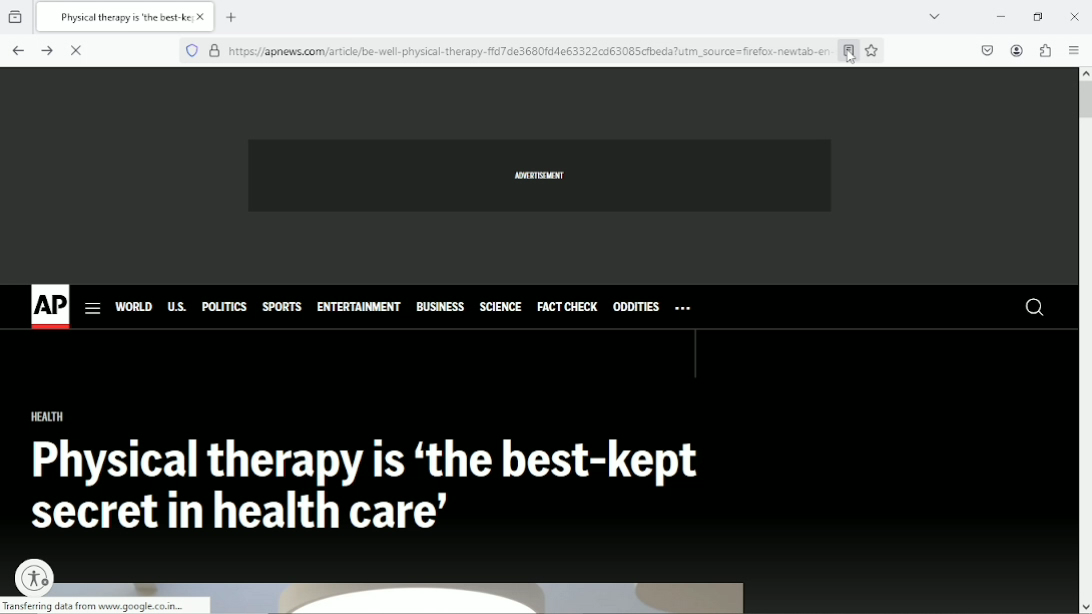  Describe the element at coordinates (224, 307) in the screenshot. I see `POLITICS` at that location.